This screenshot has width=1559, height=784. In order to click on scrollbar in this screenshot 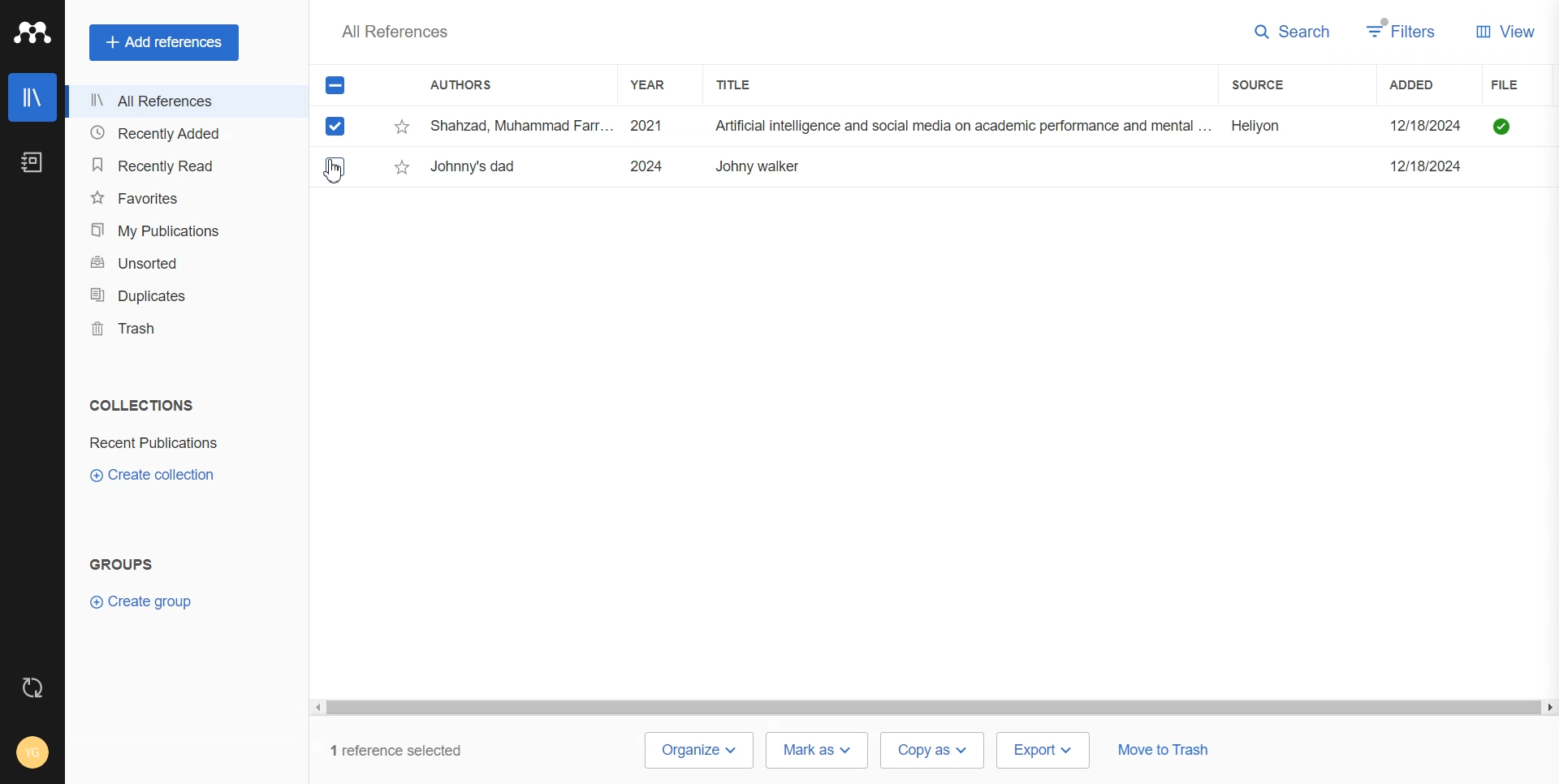, I will do `click(933, 709)`.